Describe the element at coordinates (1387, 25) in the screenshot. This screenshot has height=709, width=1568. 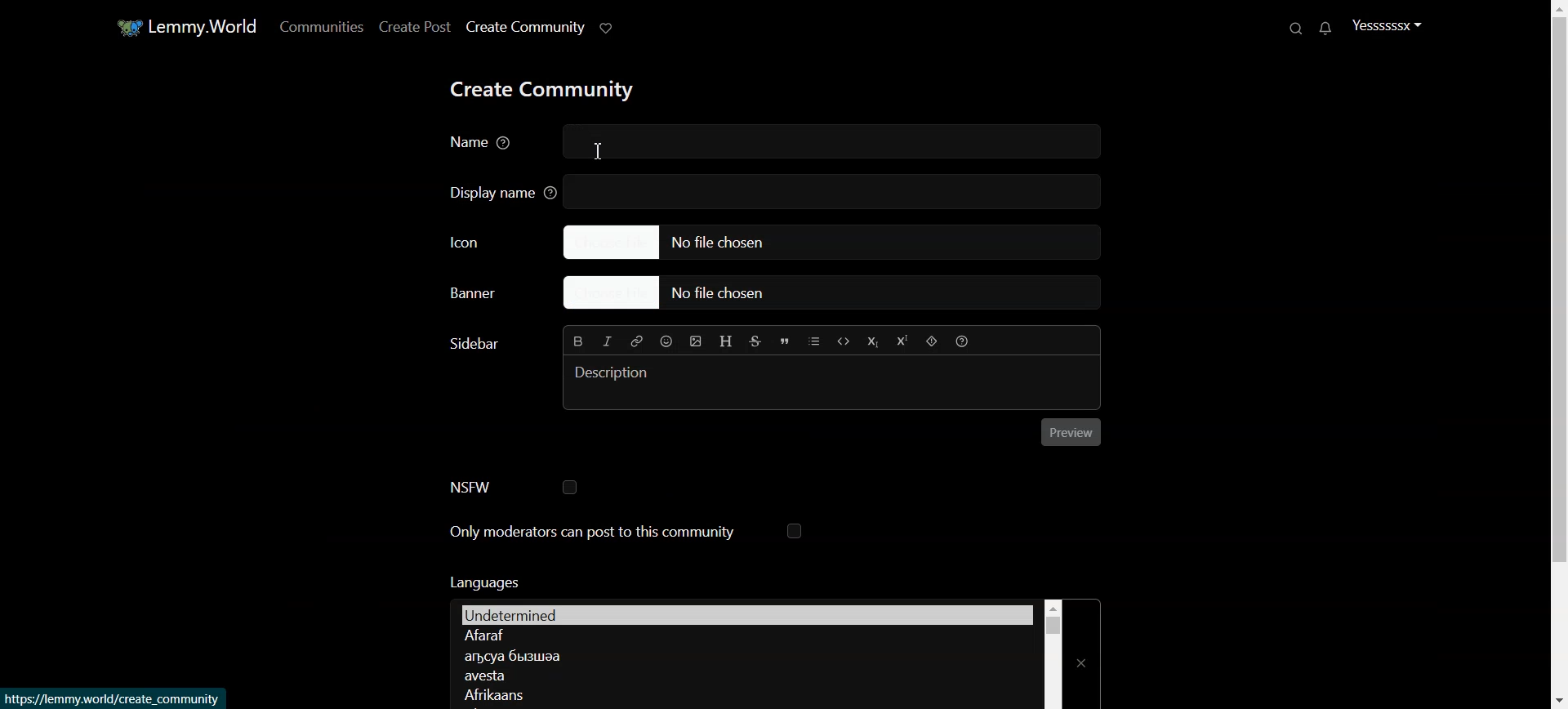
I see `Profile` at that location.